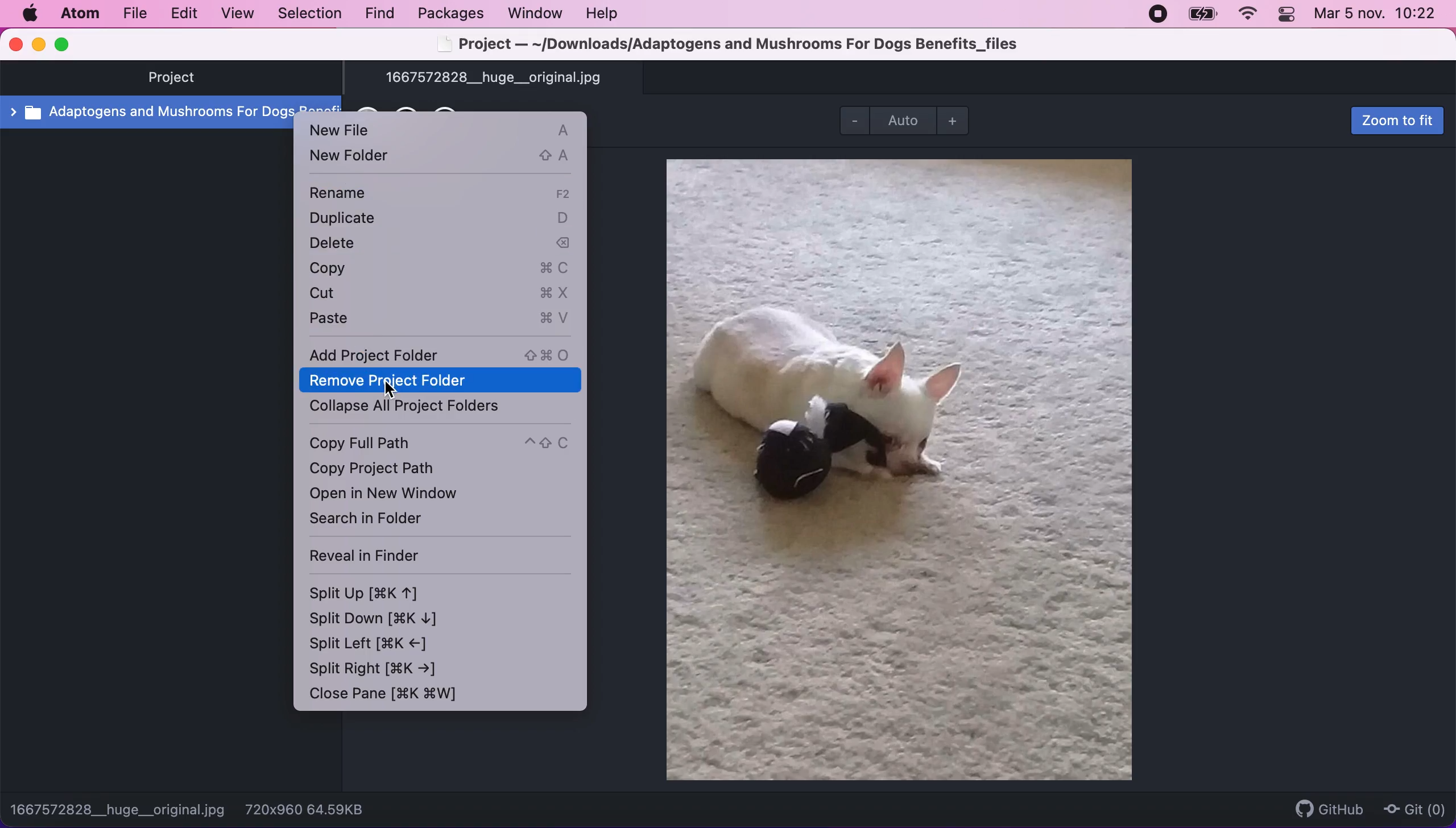 The image size is (1456, 828). What do you see at coordinates (422, 409) in the screenshot?
I see `collapse all project folders` at bounding box center [422, 409].